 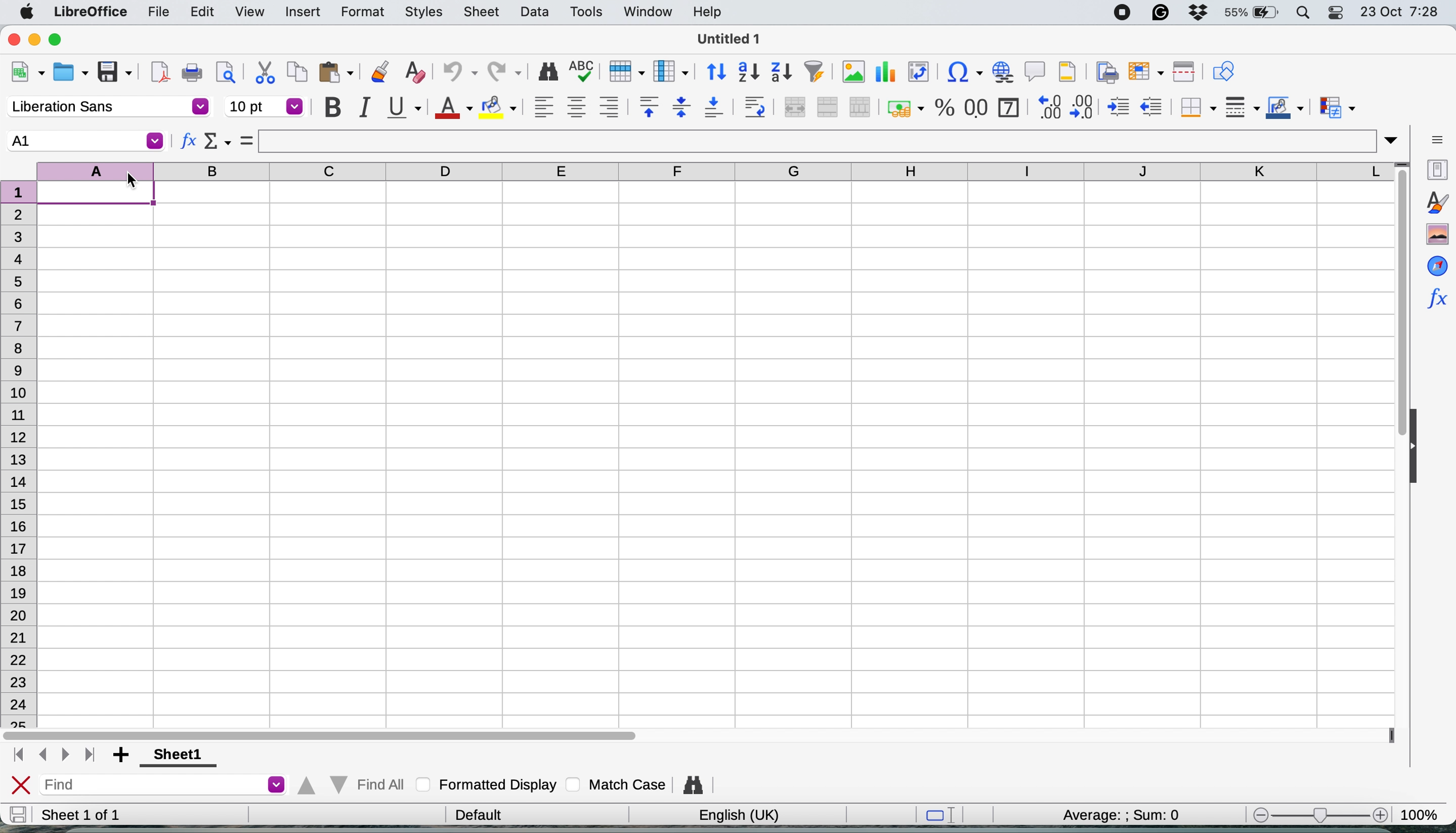 I want to click on align center, so click(x=576, y=106).